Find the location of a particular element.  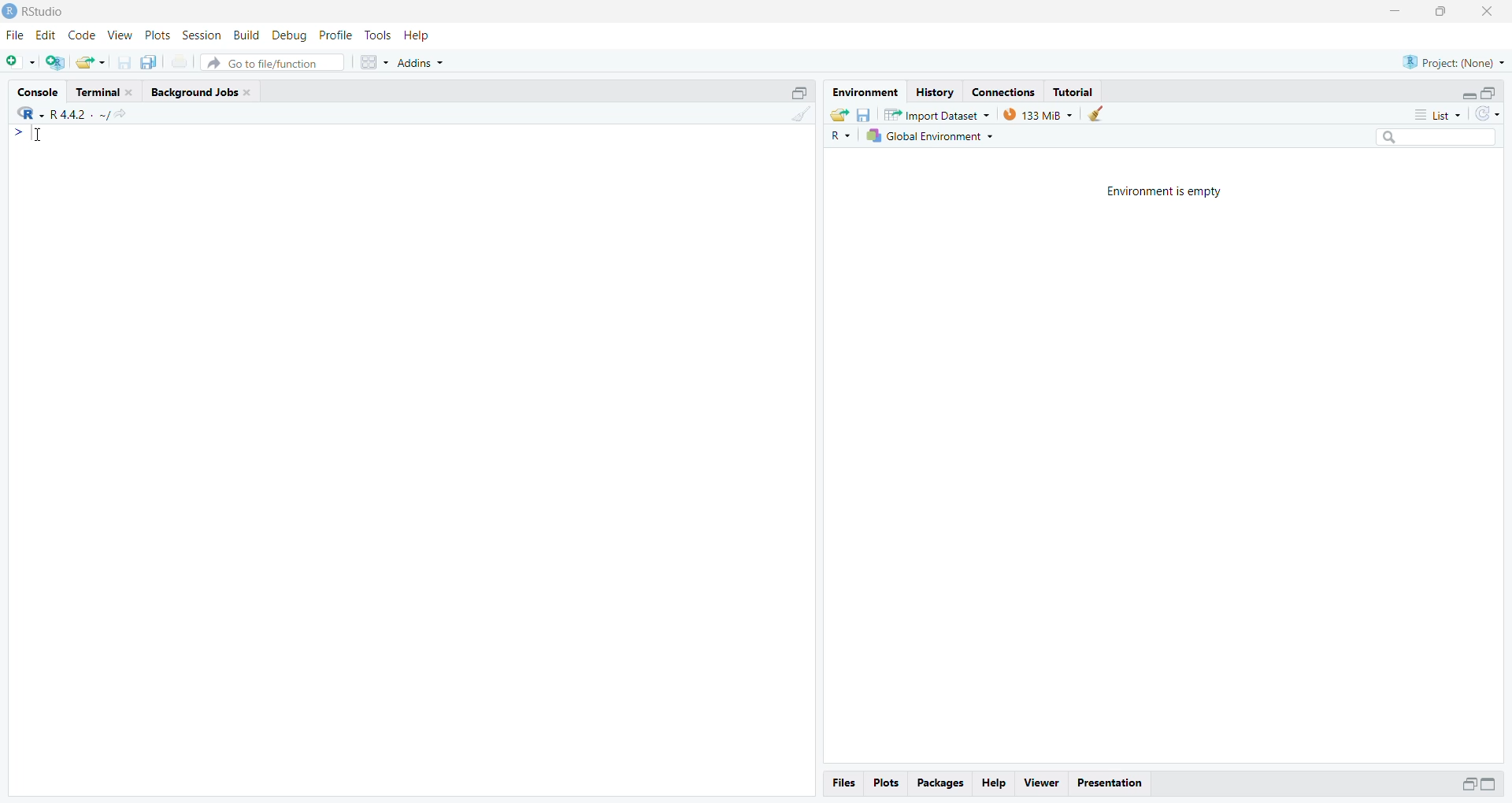

Build is located at coordinates (247, 35).